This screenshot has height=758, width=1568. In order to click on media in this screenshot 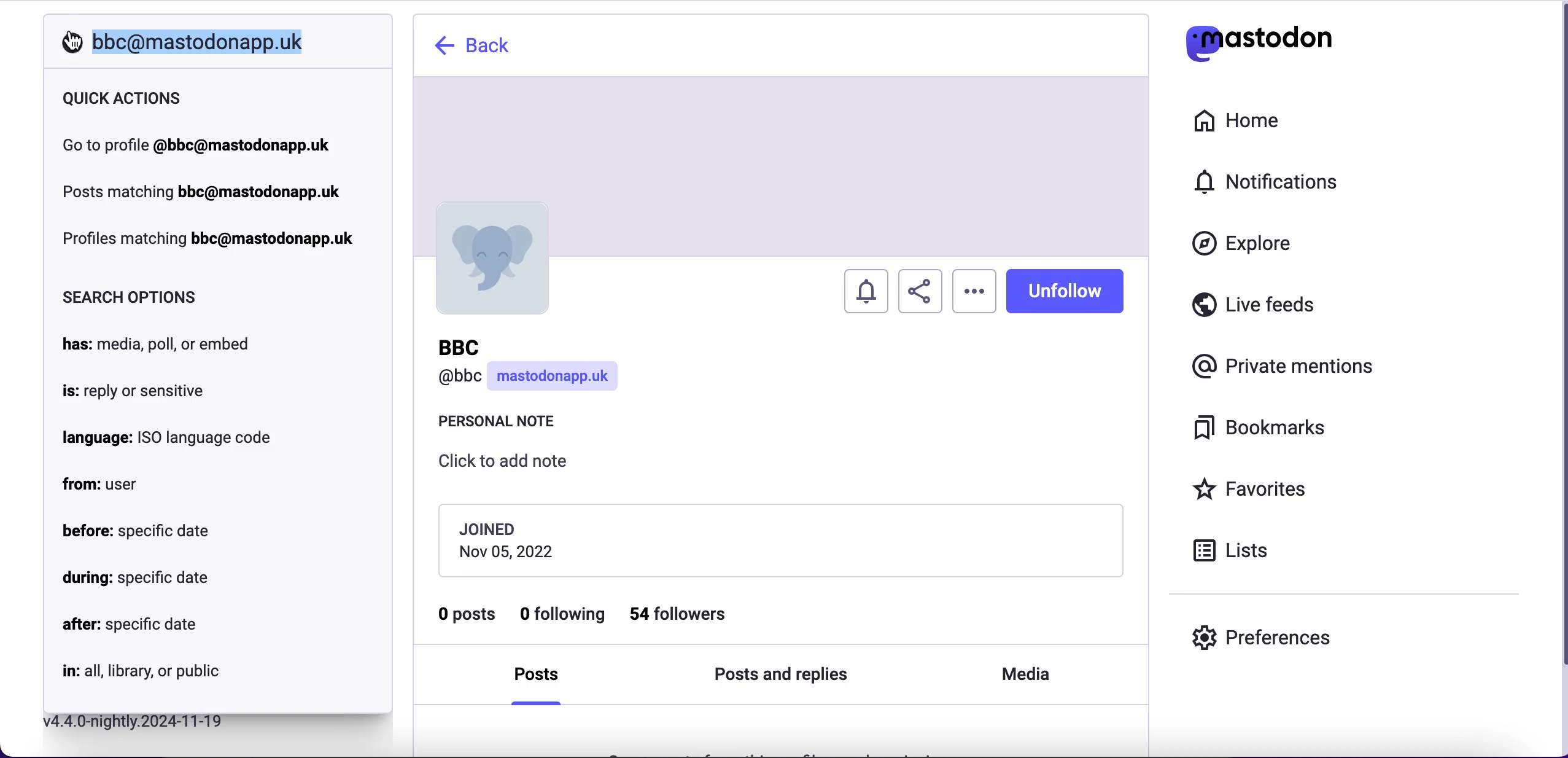, I will do `click(1023, 675)`.